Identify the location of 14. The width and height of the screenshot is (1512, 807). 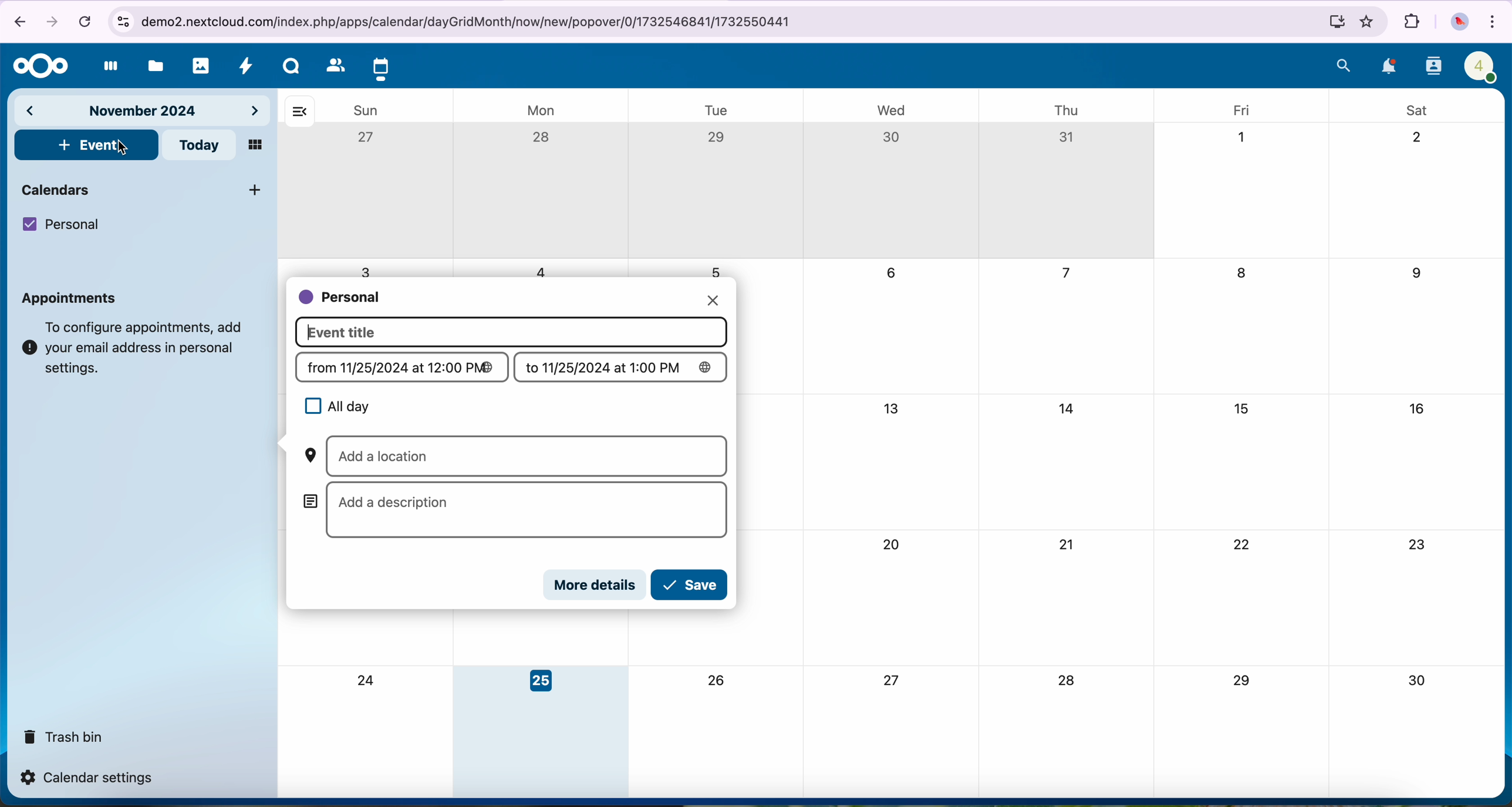
(1071, 410).